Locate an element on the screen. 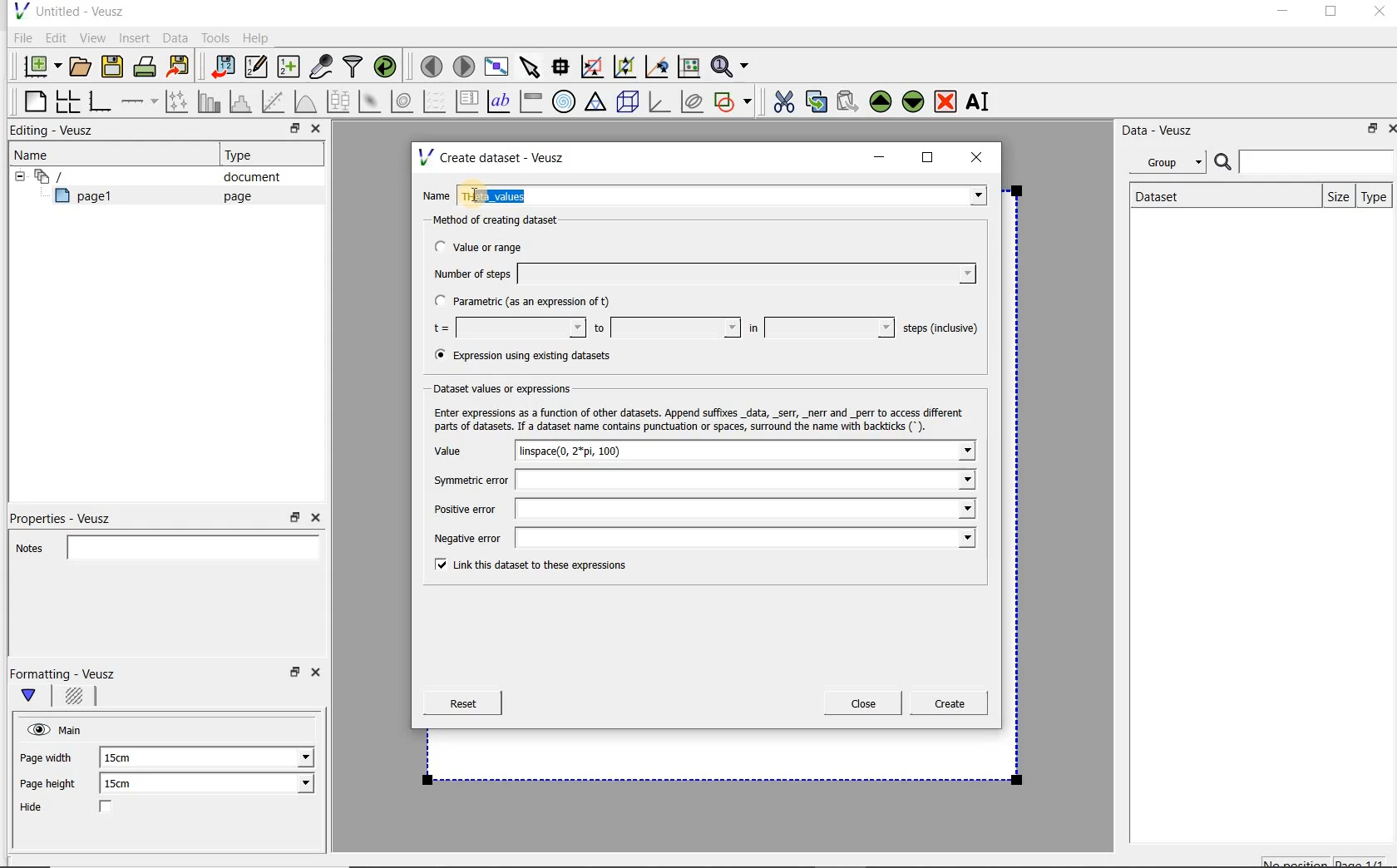  page1/1 is located at coordinates (1366, 861).